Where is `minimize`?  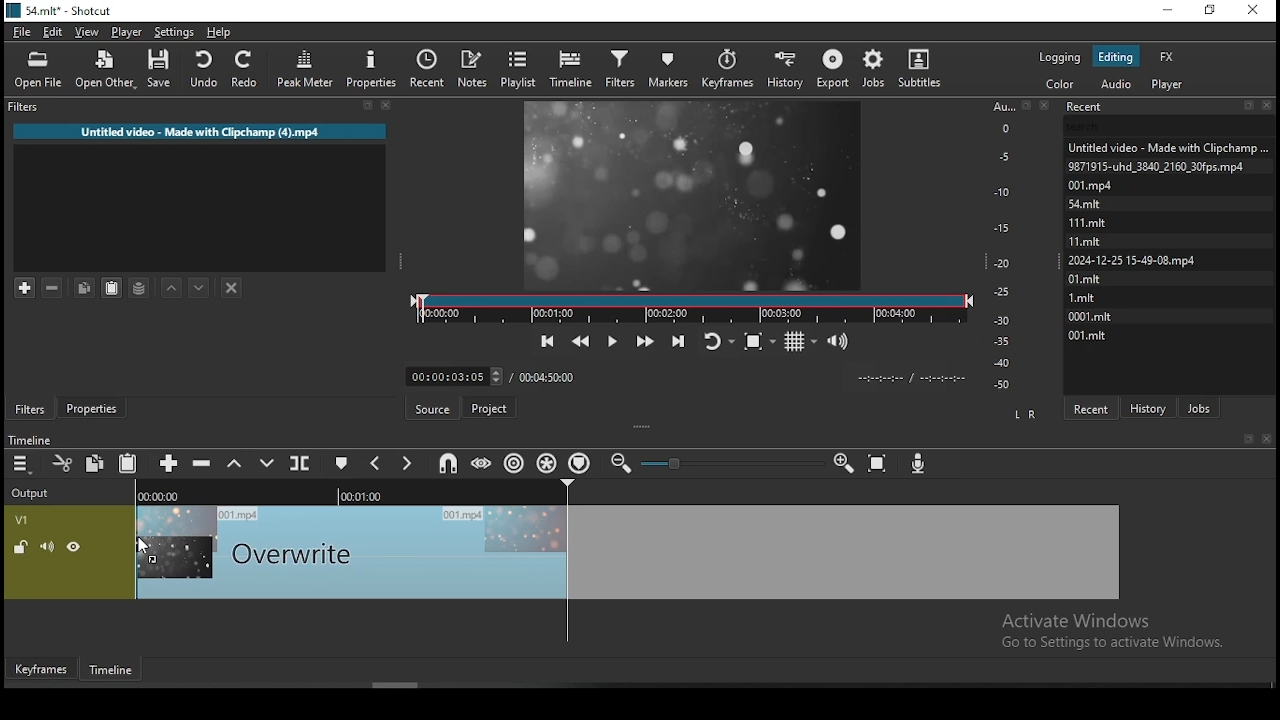
minimize is located at coordinates (1167, 12).